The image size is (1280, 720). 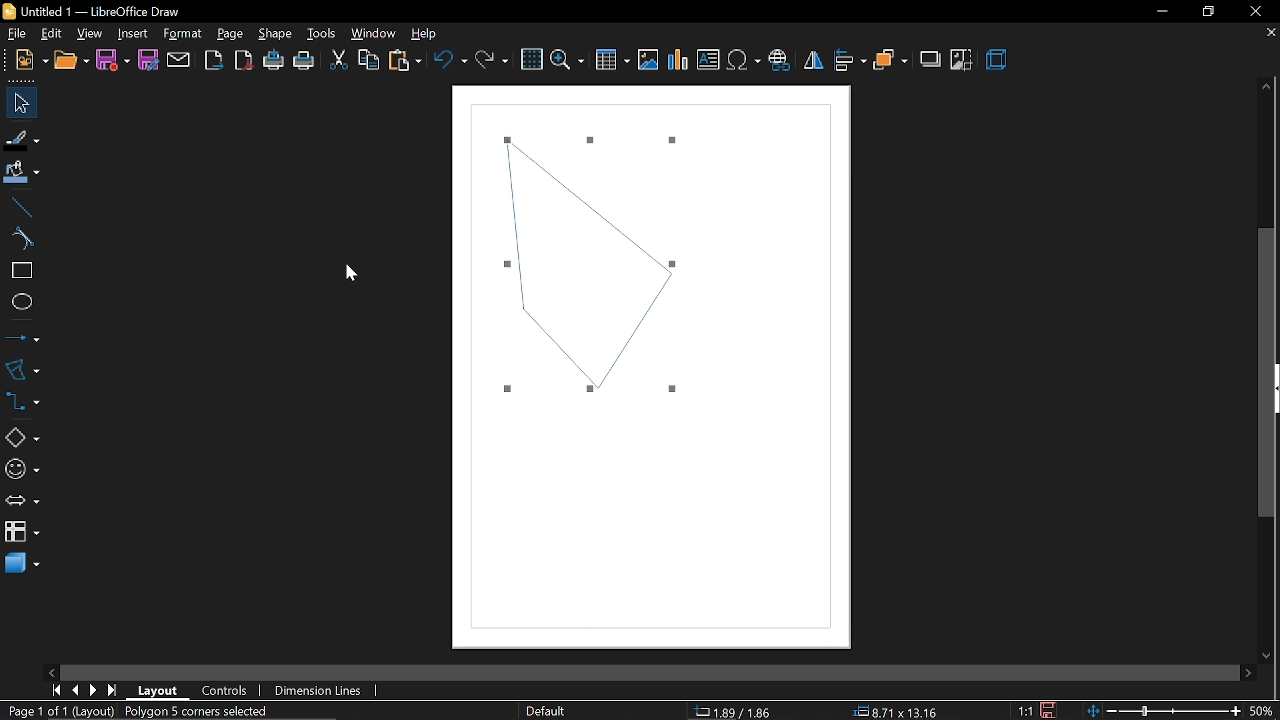 What do you see at coordinates (1054, 708) in the screenshot?
I see `save` at bounding box center [1054, 708].